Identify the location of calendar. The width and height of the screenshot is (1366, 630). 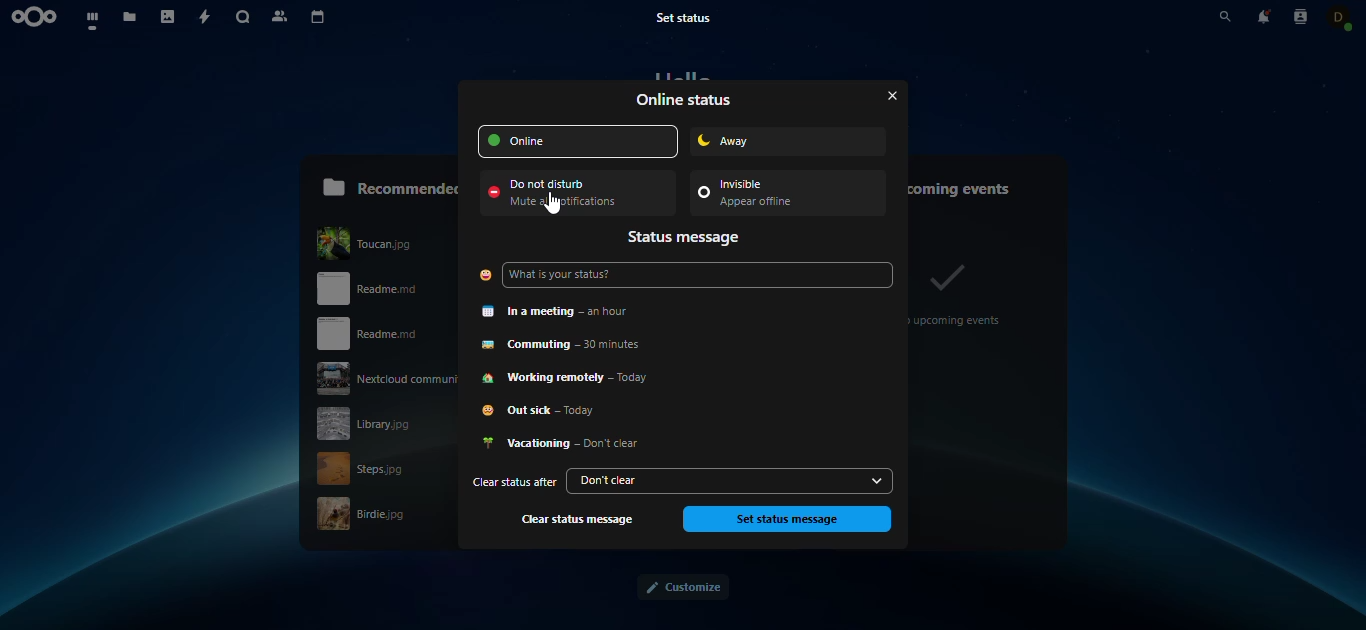
(319, 18).